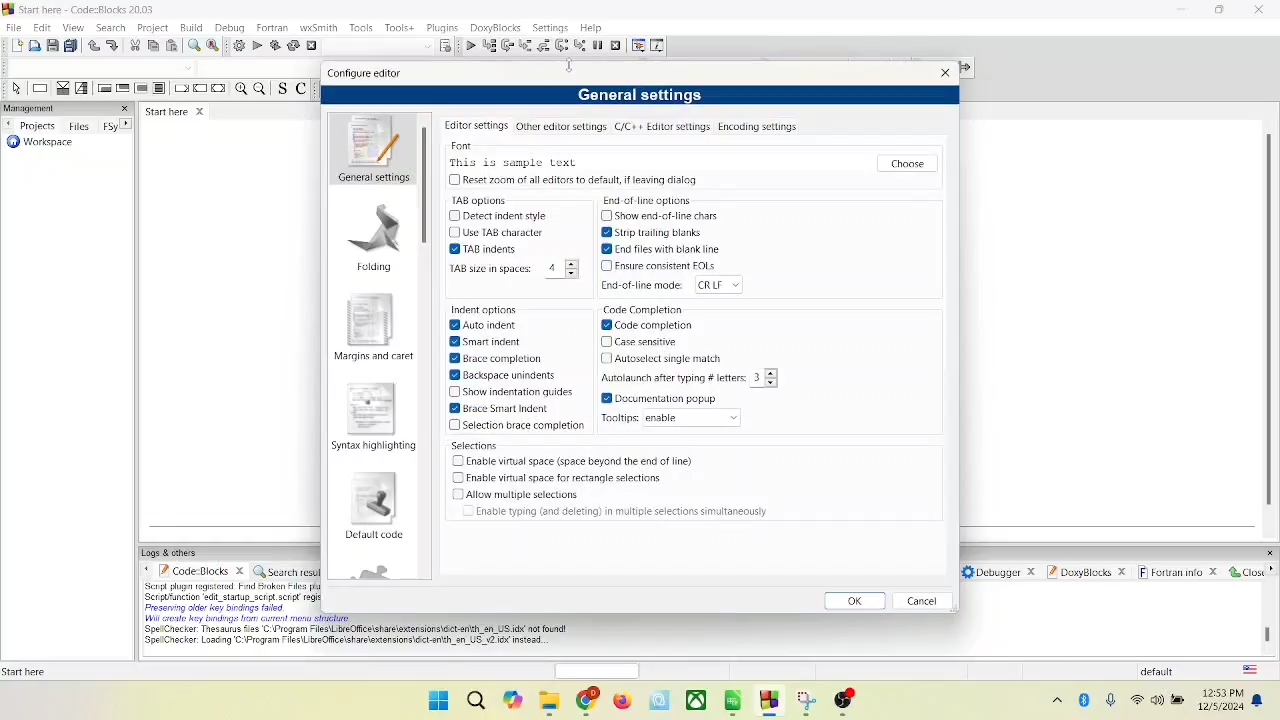 The height and width of the screenshot is (720, 1280). Describe the element at coordinates (1169, 670) in the screenshot. I see `default` at that location.